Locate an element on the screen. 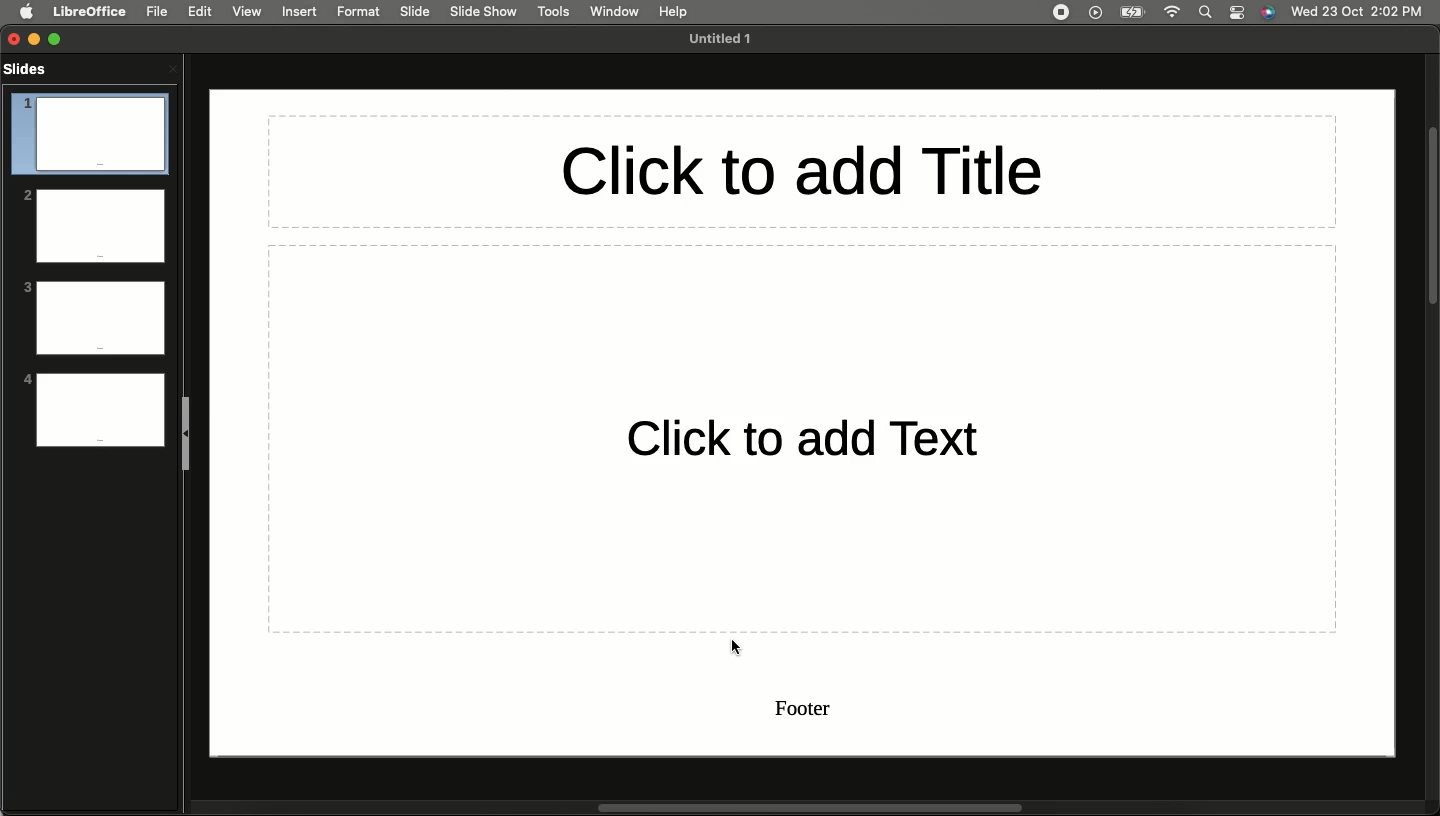 The width and height of the screenshot is (1440, 816). Click to add text is located at coordinates (801, 437).